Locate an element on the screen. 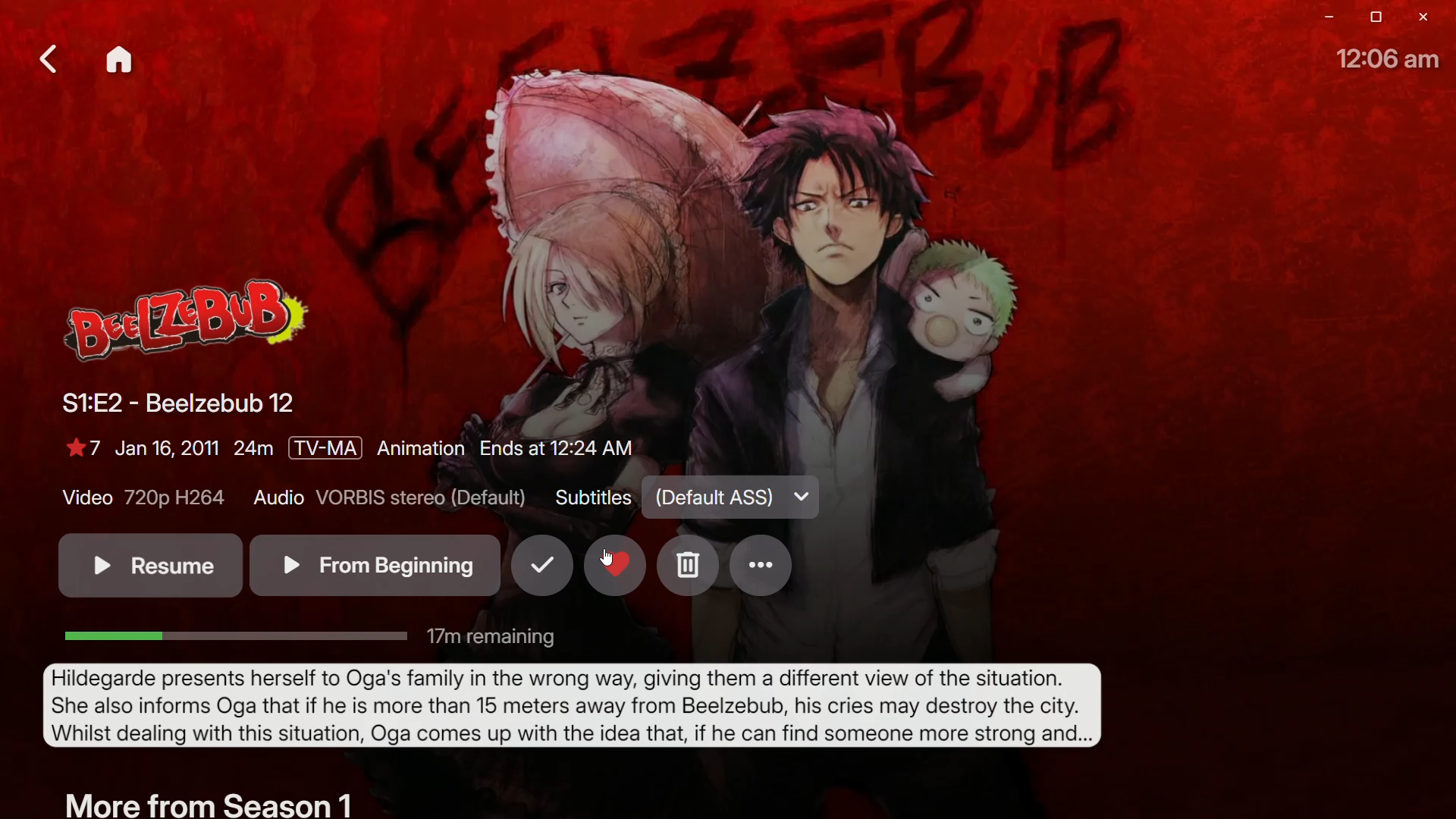 This screenshot has width=1456, height=819. Audio Details is located at coordinates (390, 500).